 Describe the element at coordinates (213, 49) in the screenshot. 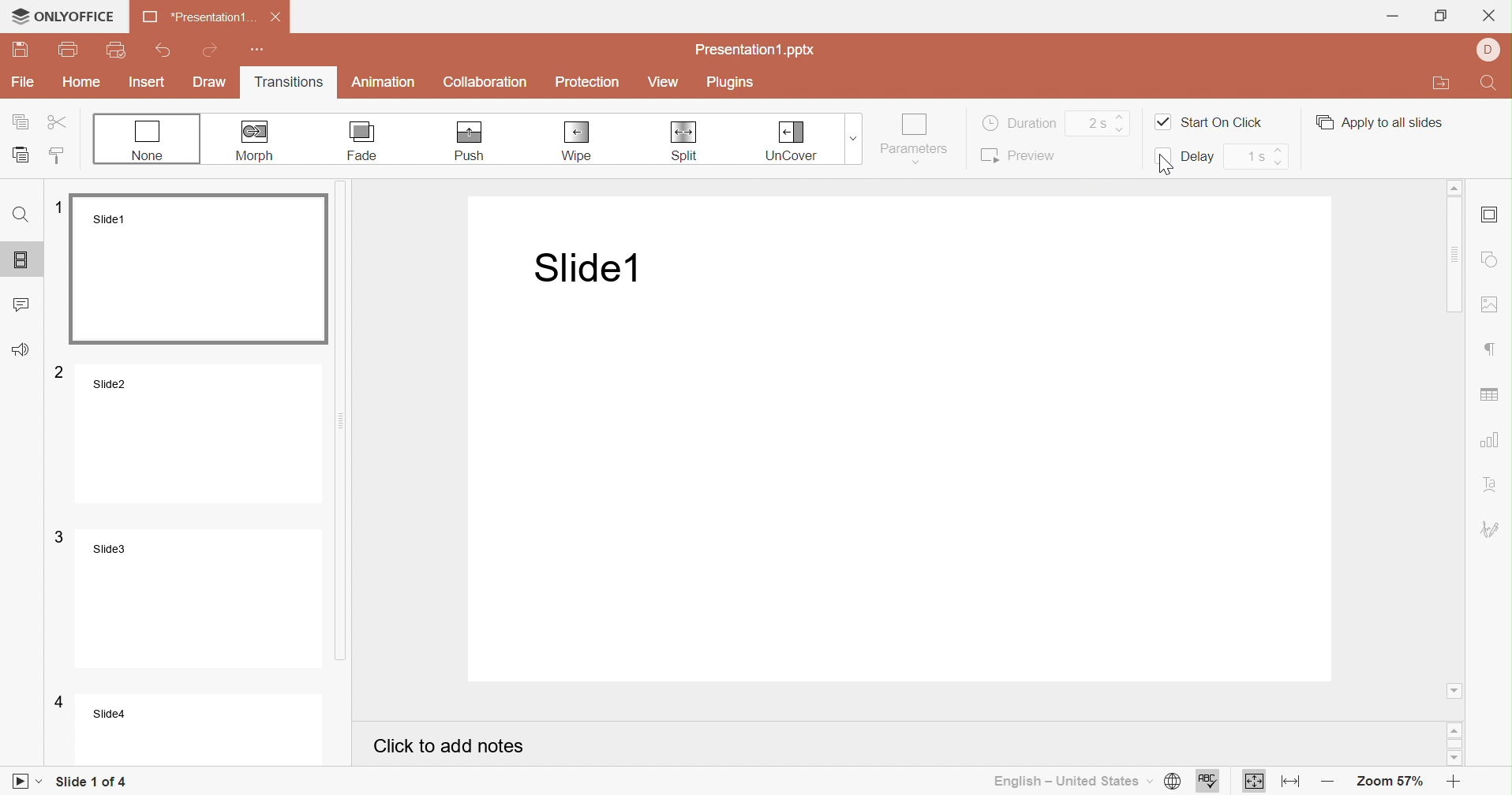

I see `Redo` at that location.